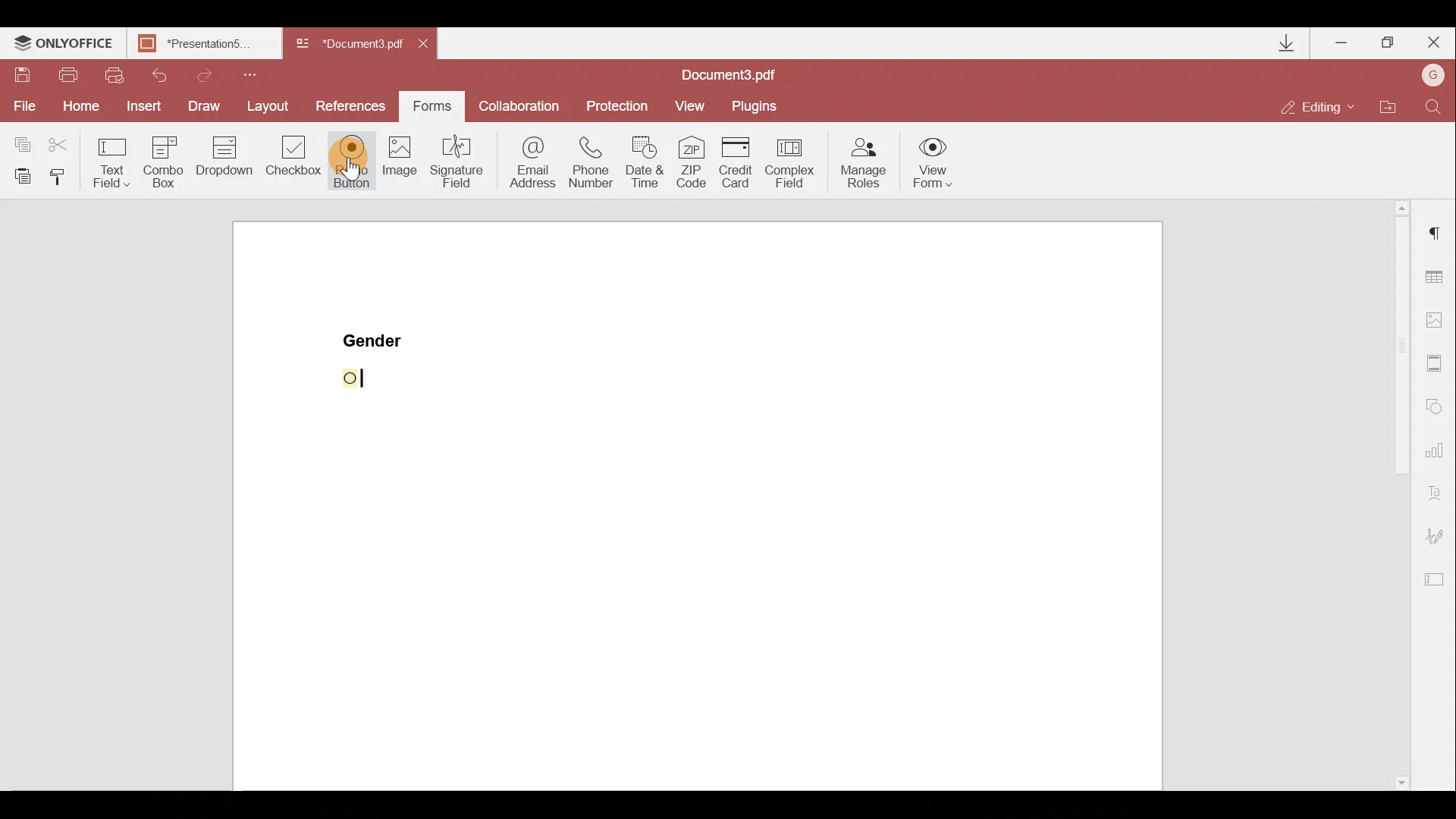  Describe the element at coordinates (120, 73) in the screenshot. I see `Quick print` at that location.